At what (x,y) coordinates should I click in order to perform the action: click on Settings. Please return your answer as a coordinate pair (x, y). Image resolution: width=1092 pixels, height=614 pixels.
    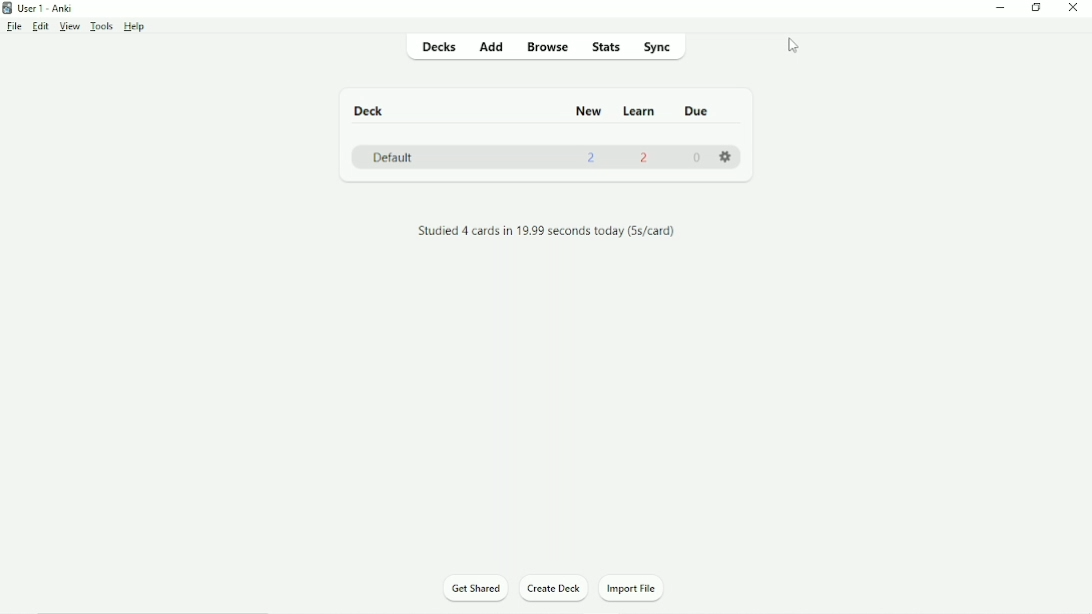
    Looking at the image, I should click on (726, 156).